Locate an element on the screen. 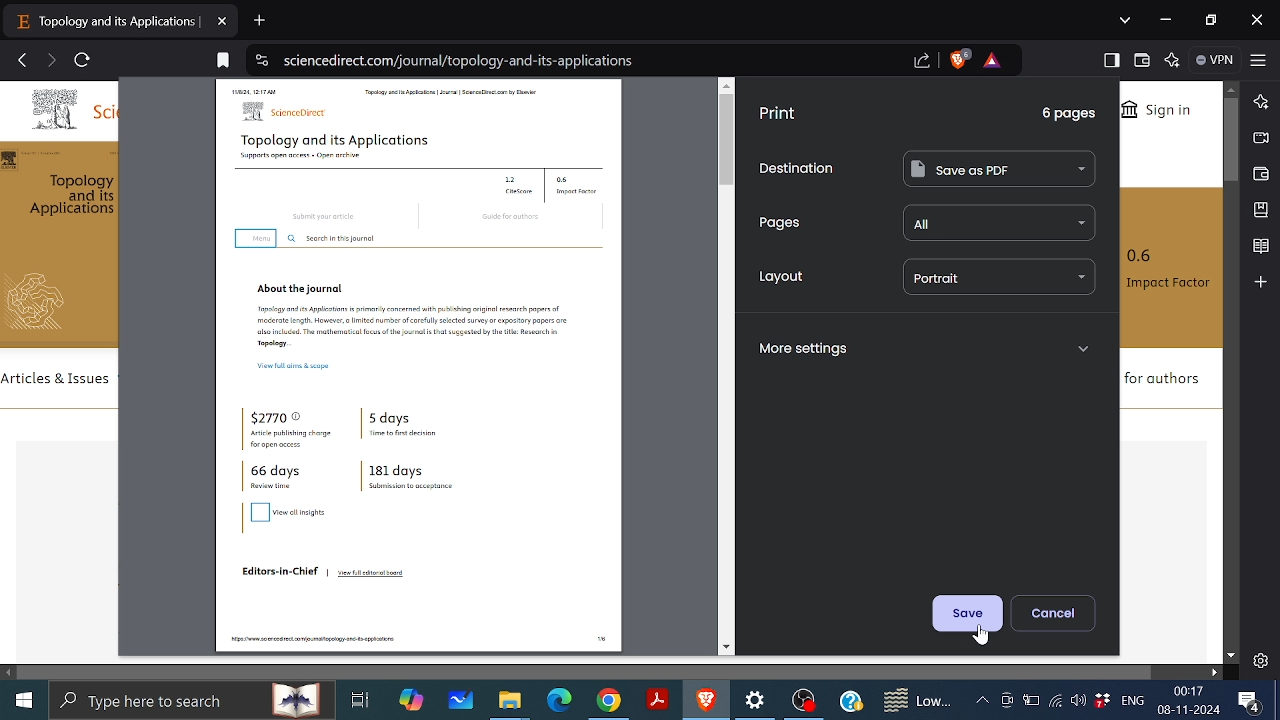  00:17 08-11-2024 is located at coordinates (1188, 700).